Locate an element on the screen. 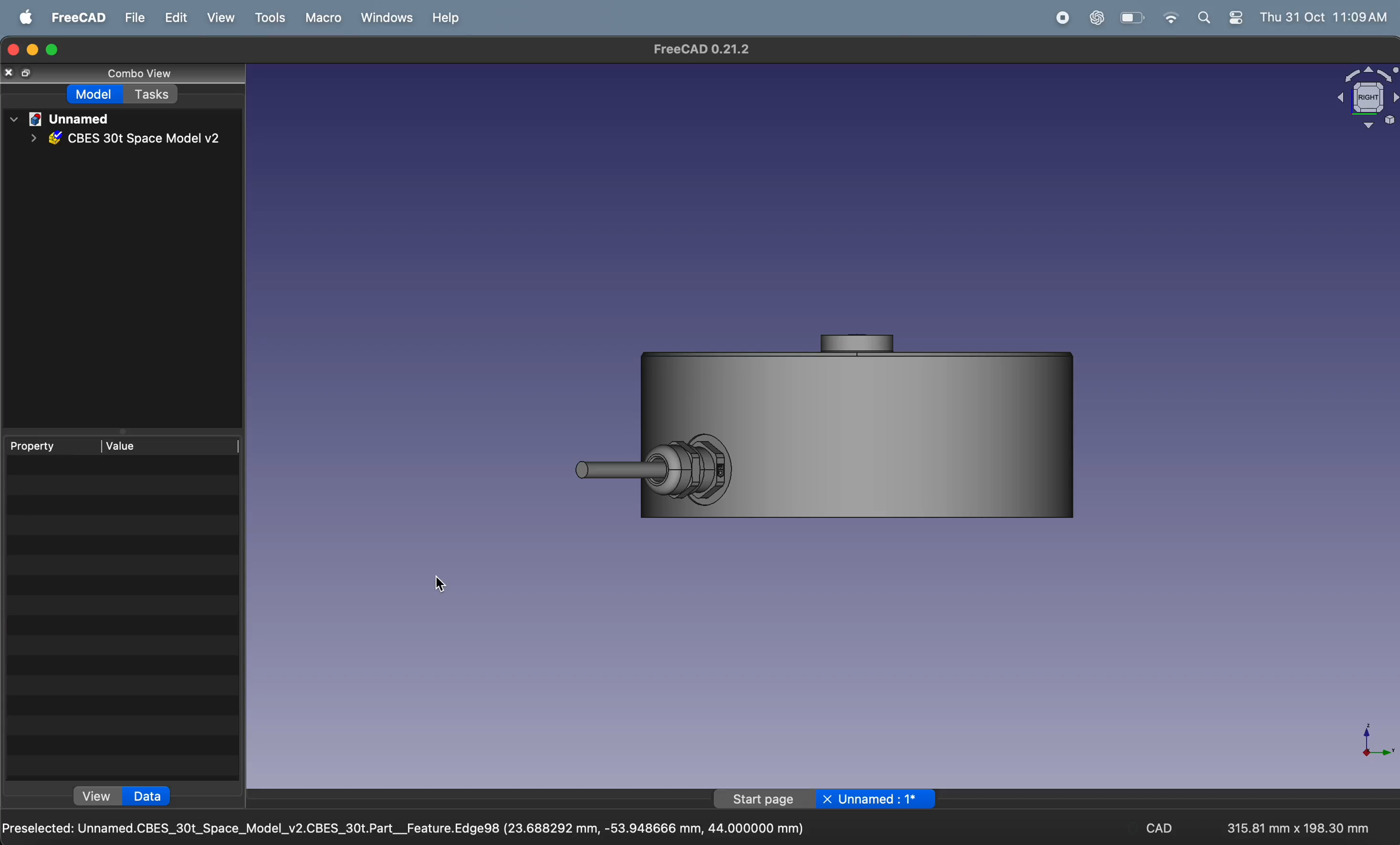  Preselected: Unnamed.CBES_30t_Space_Model_v2.CBES_30t.Part__Feature.Edge98 (23.688292 mm, -53.948666 mm, 44.000000 mm) is located at coordinates (411, 829).